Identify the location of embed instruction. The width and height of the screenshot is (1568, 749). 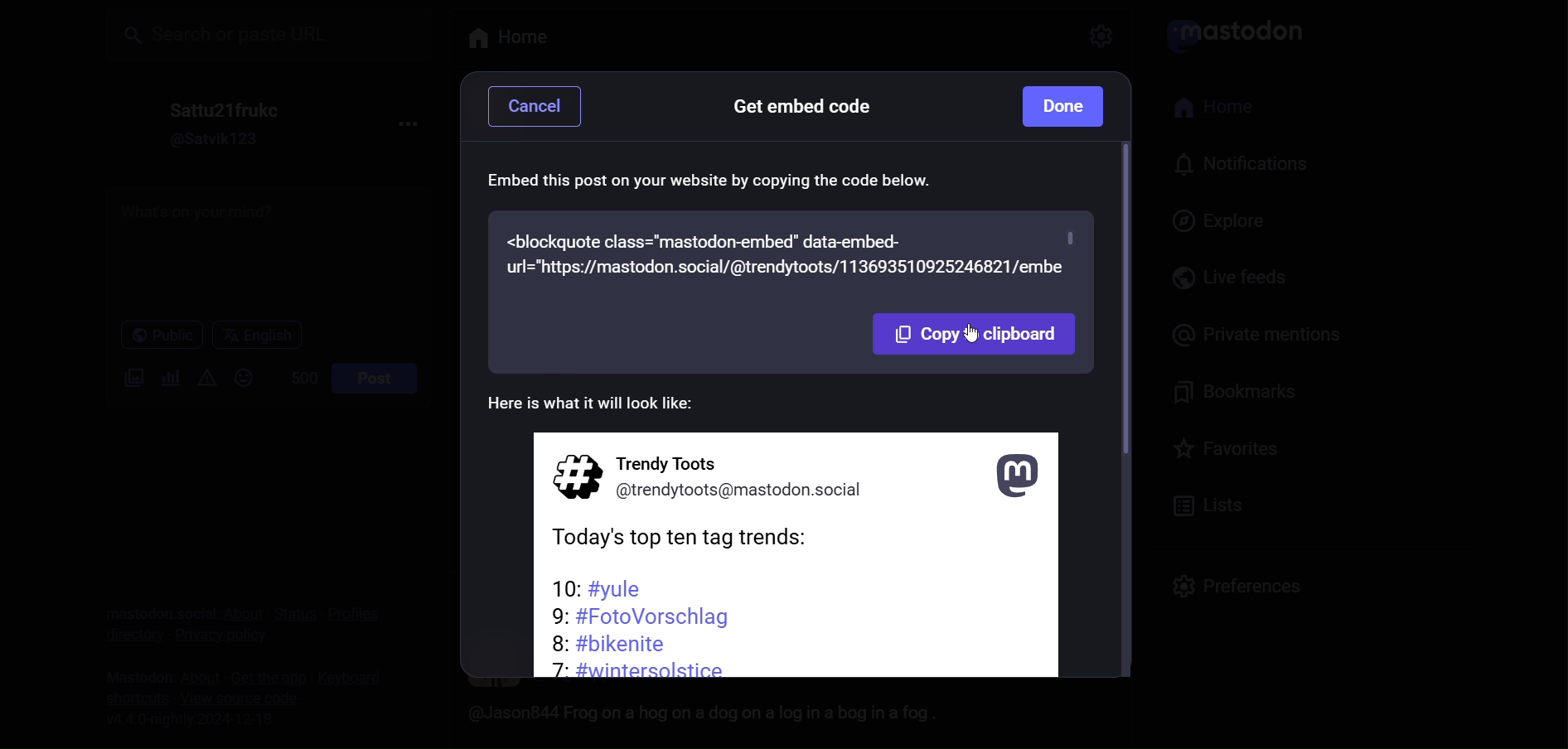
(716, 182).